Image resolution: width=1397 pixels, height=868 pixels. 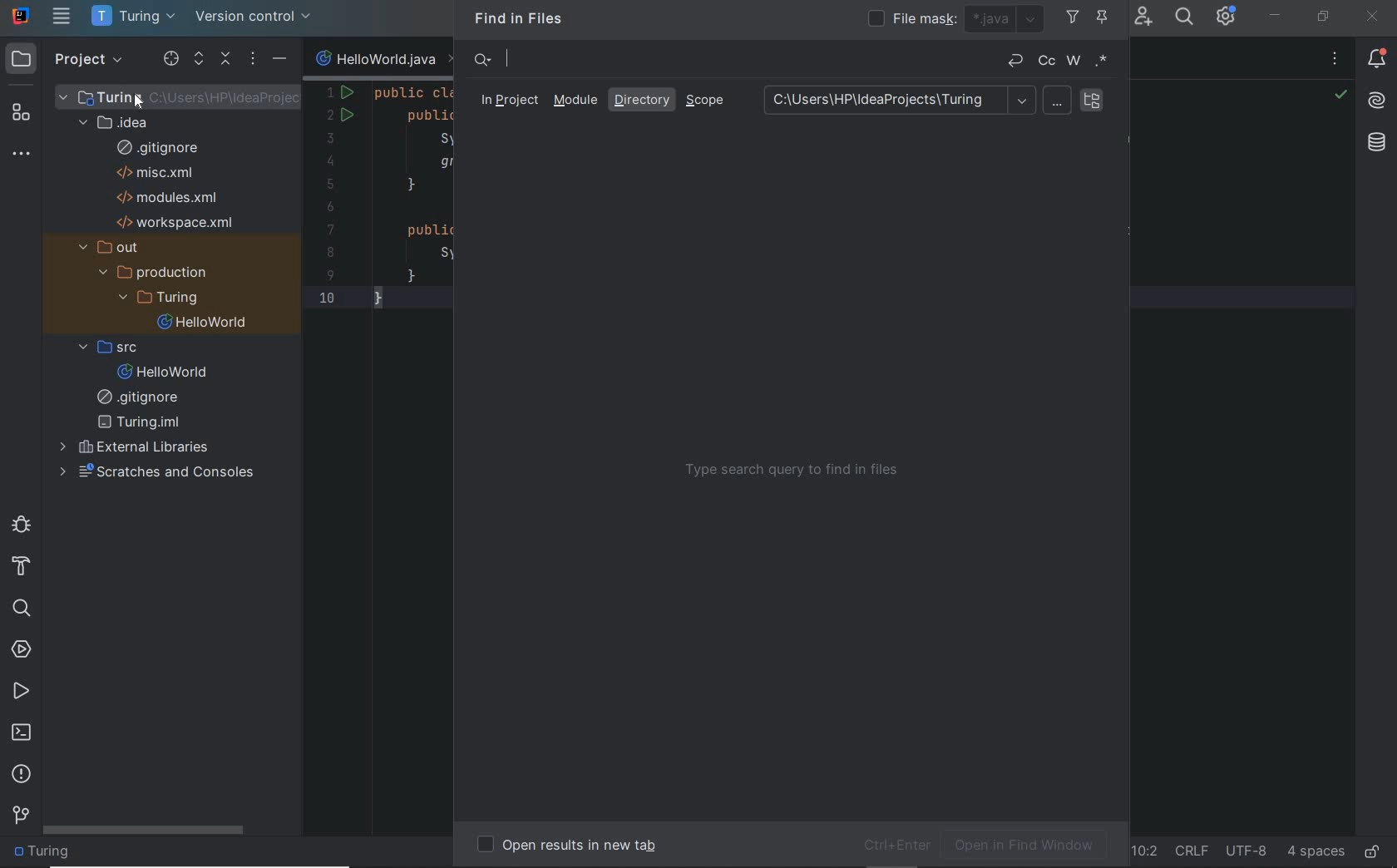 I want to click on make file ready only, so click(x=1376, y=851).